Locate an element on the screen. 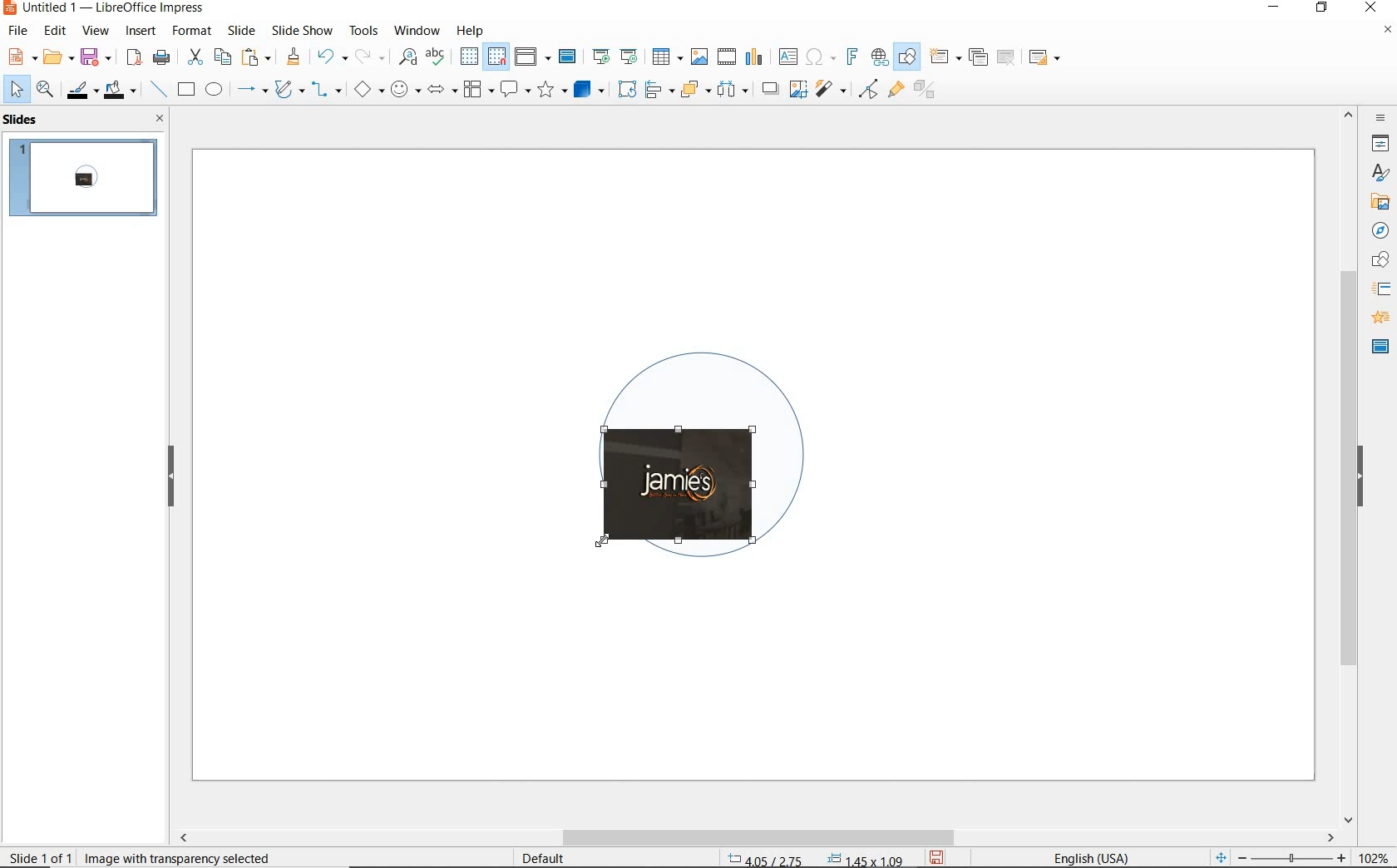 This screenshot has height=868, width=1397. Text language is located at coordinates (1088, 856).